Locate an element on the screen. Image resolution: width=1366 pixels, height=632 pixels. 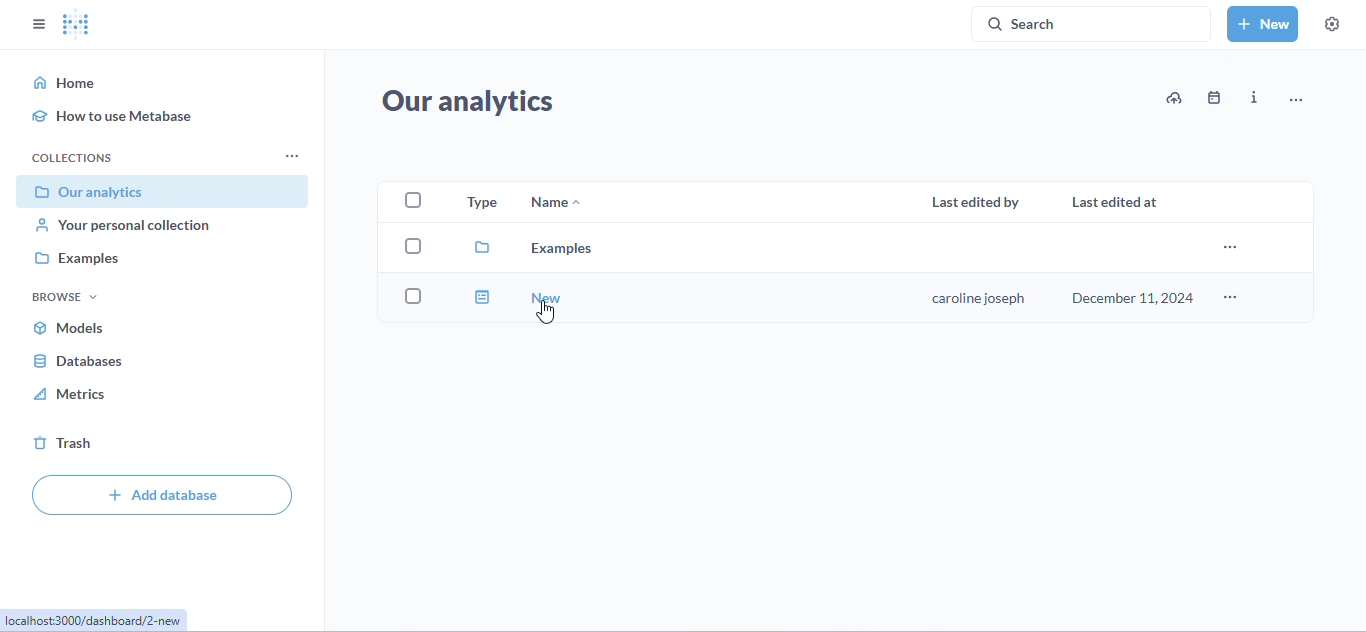
user is located at coordinates (978, 299).